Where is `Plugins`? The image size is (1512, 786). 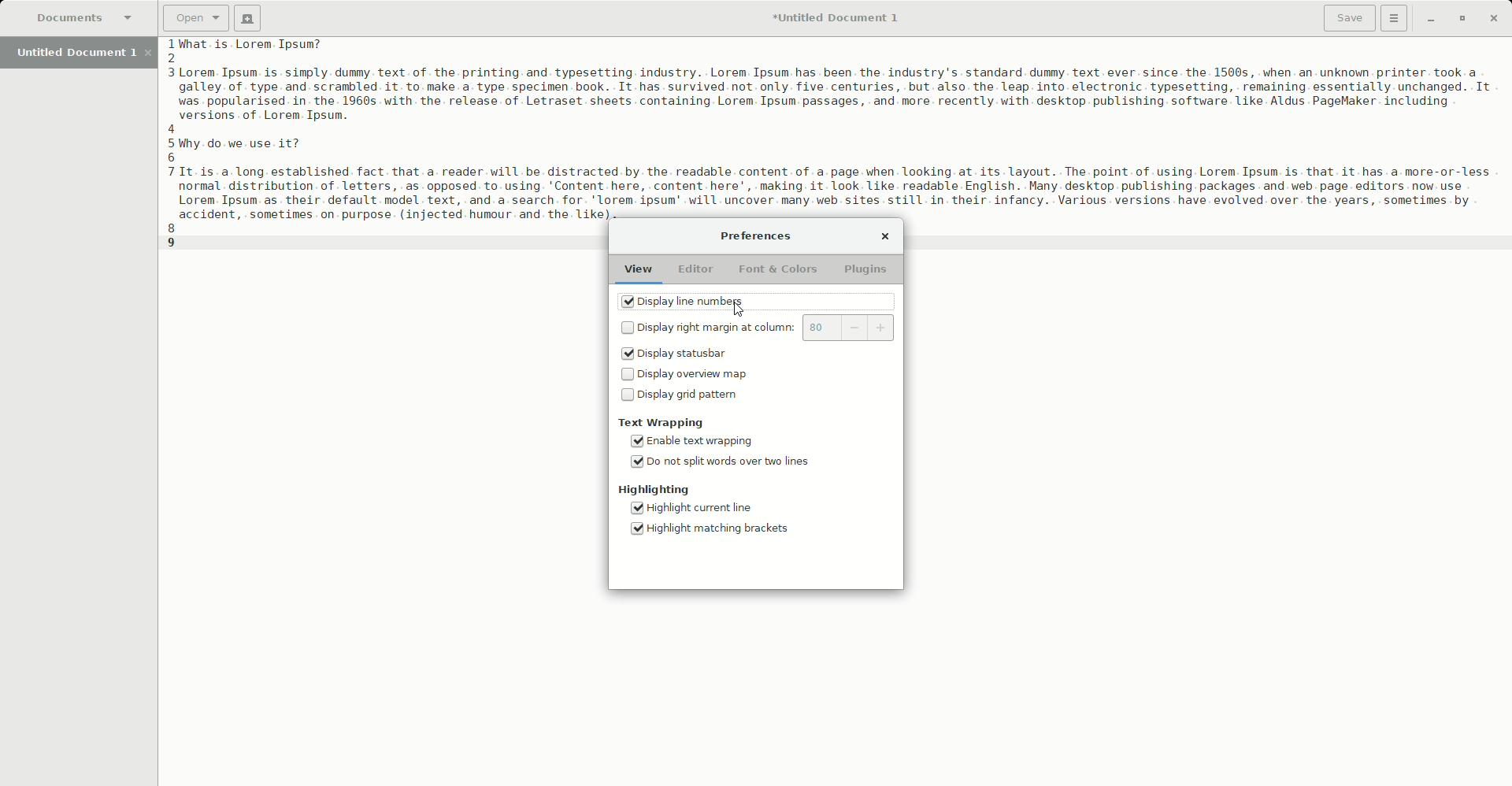 Plugins is located at coordinates (868, 269).